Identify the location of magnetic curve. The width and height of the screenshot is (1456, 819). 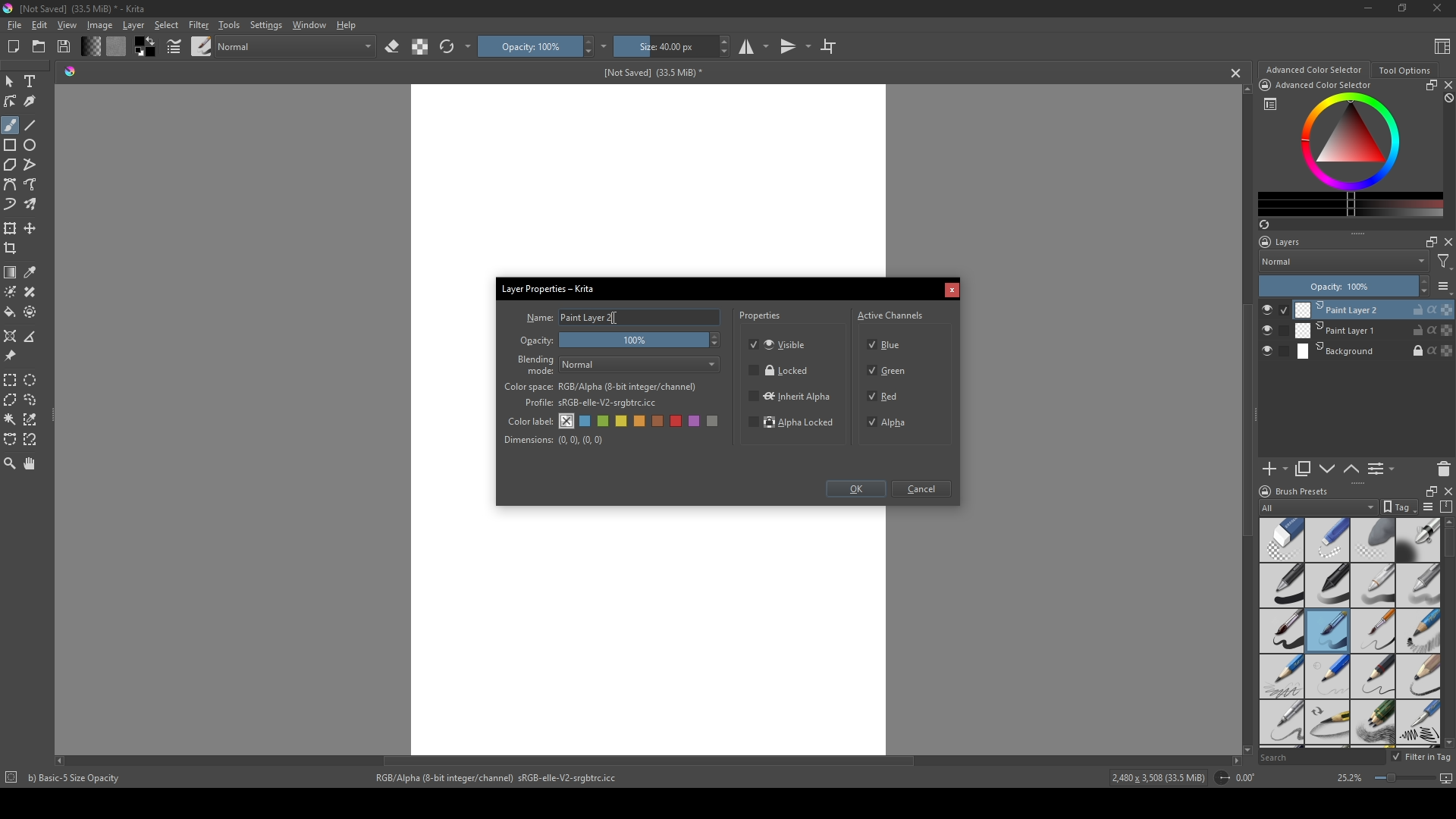
(32, 441).